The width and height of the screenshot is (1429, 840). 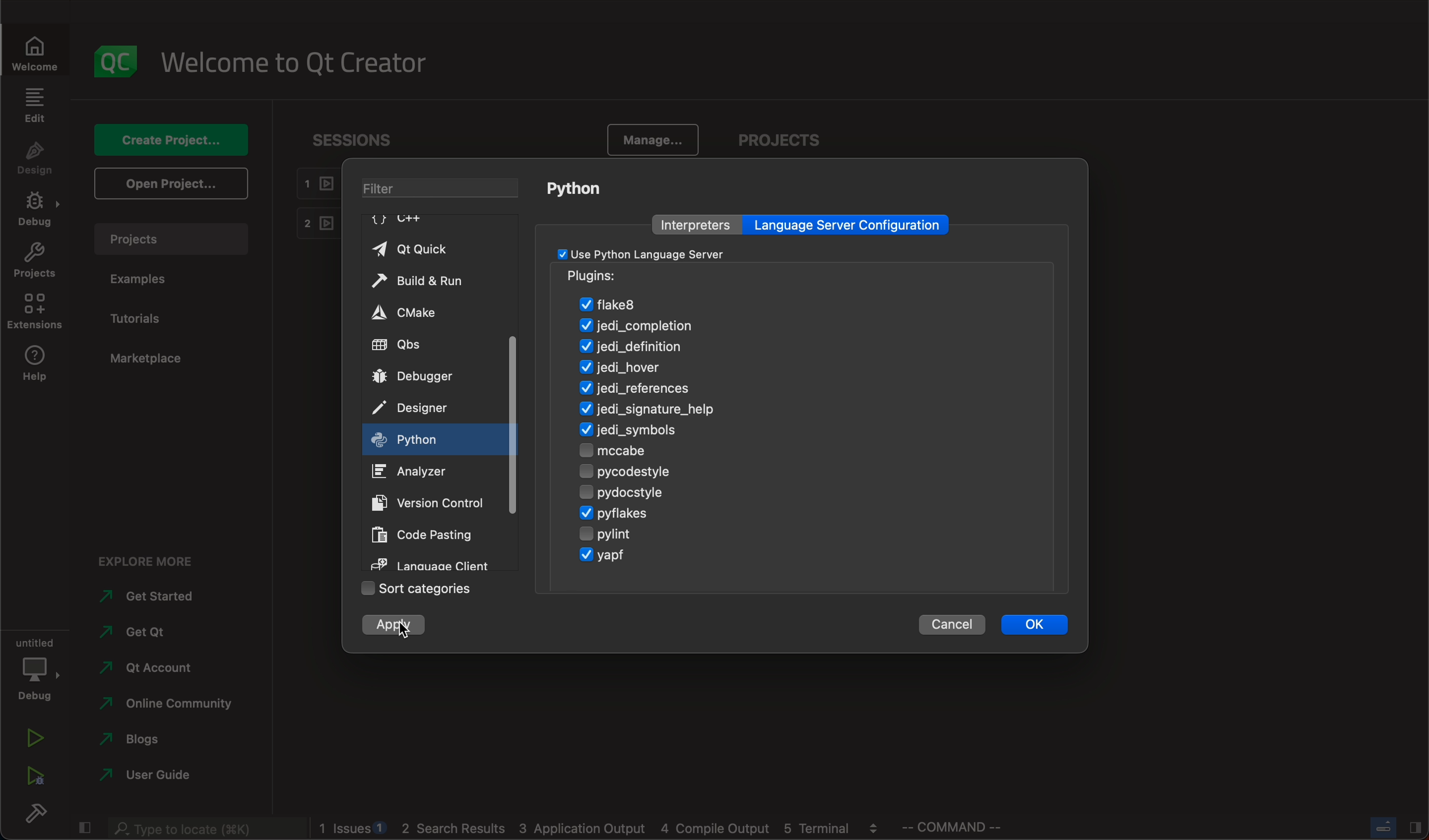 I want to click on designer, so click(x=424, y=405).